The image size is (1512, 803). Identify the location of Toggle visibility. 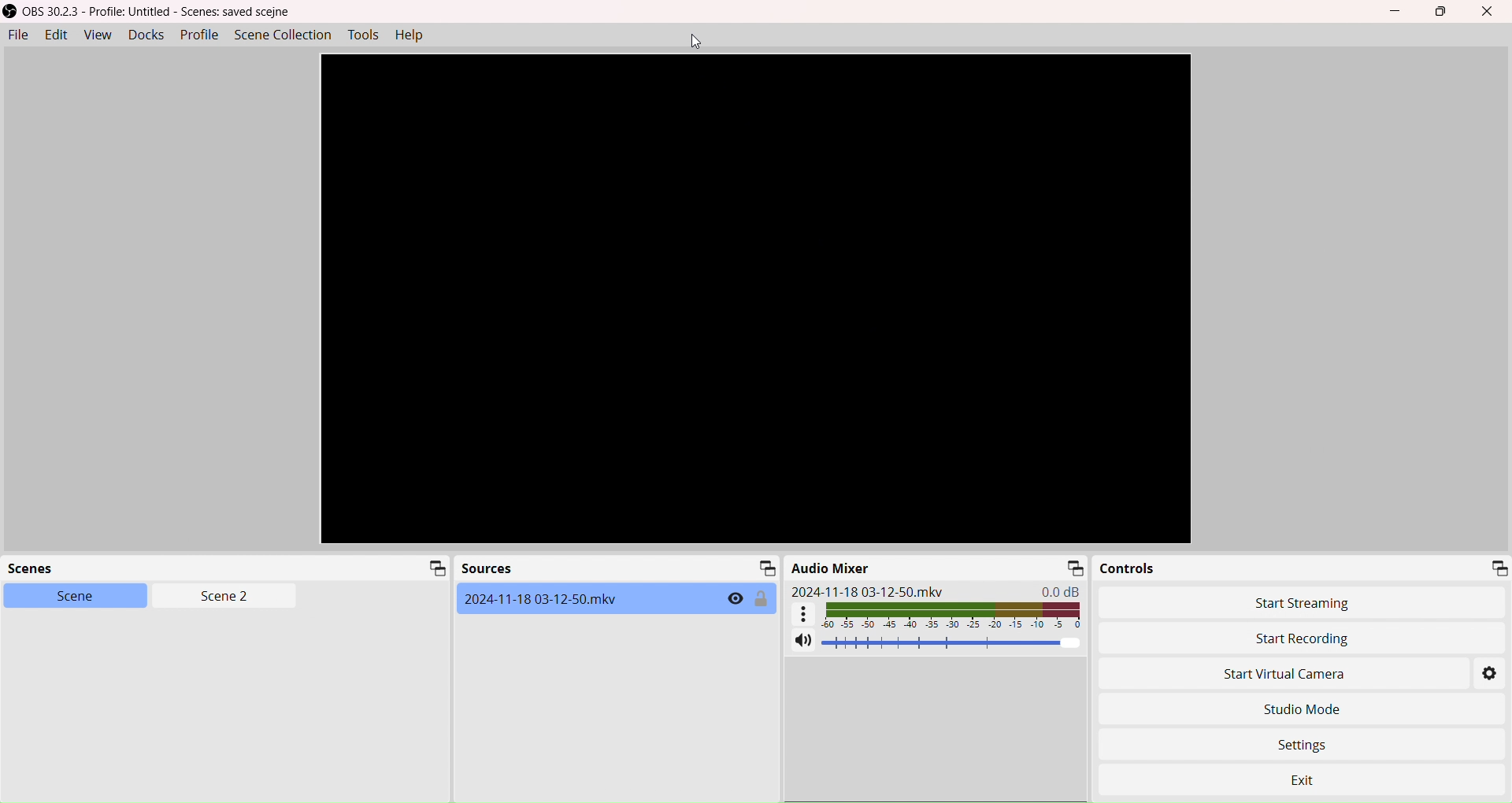
(735, 599).